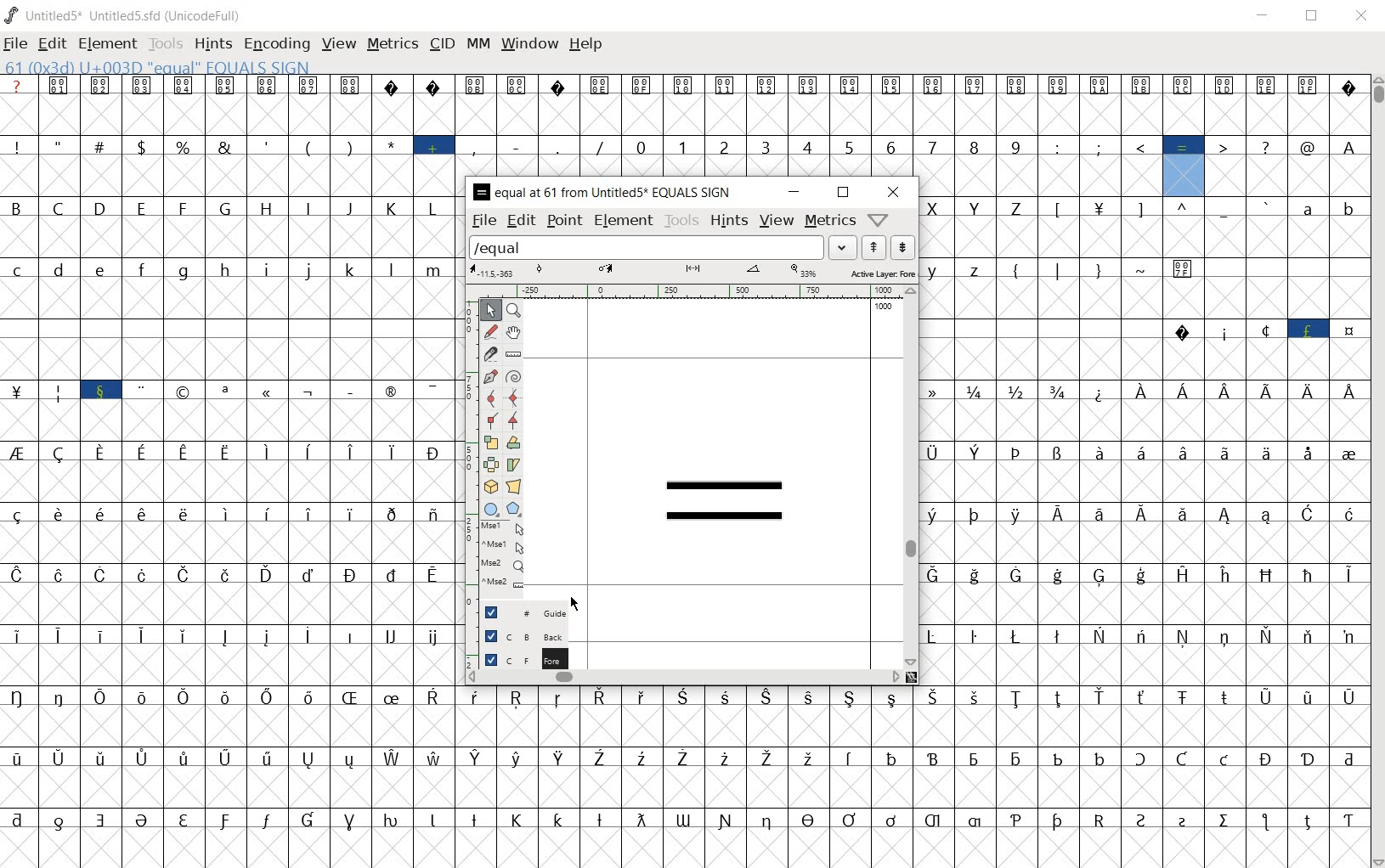 This screenshot has height=868, width=1385. I want to click on window, so click(529, 44).